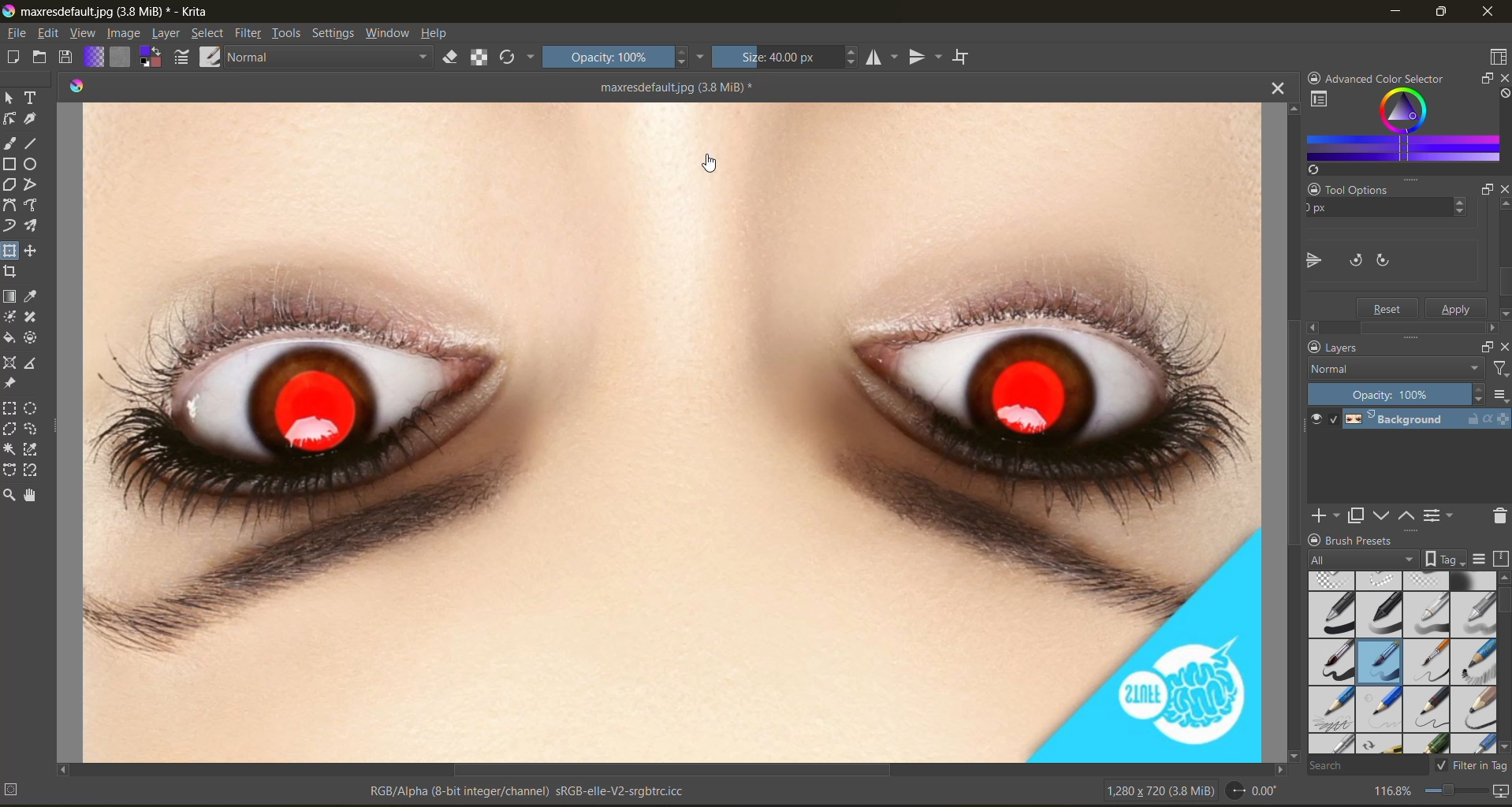  What do you see at coordinates (35, 203) in the screenshot?
I see `tool` at bounding box center [35, 203].